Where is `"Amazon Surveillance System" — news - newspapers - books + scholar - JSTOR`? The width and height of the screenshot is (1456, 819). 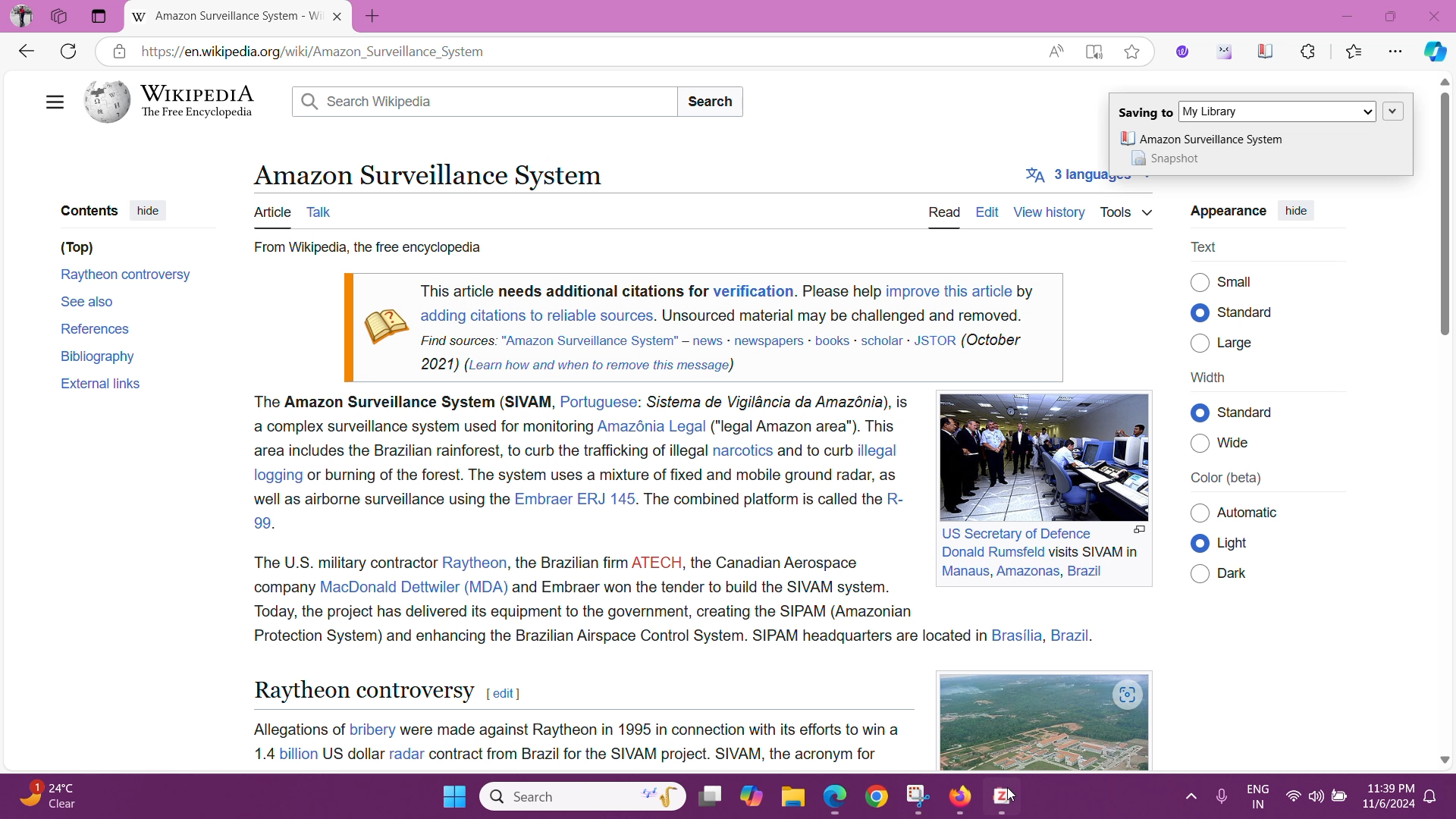
"Amazon Surveillance System" — news - newspapers - books + scholar - JSTOR is located at coordinates (728, 340).